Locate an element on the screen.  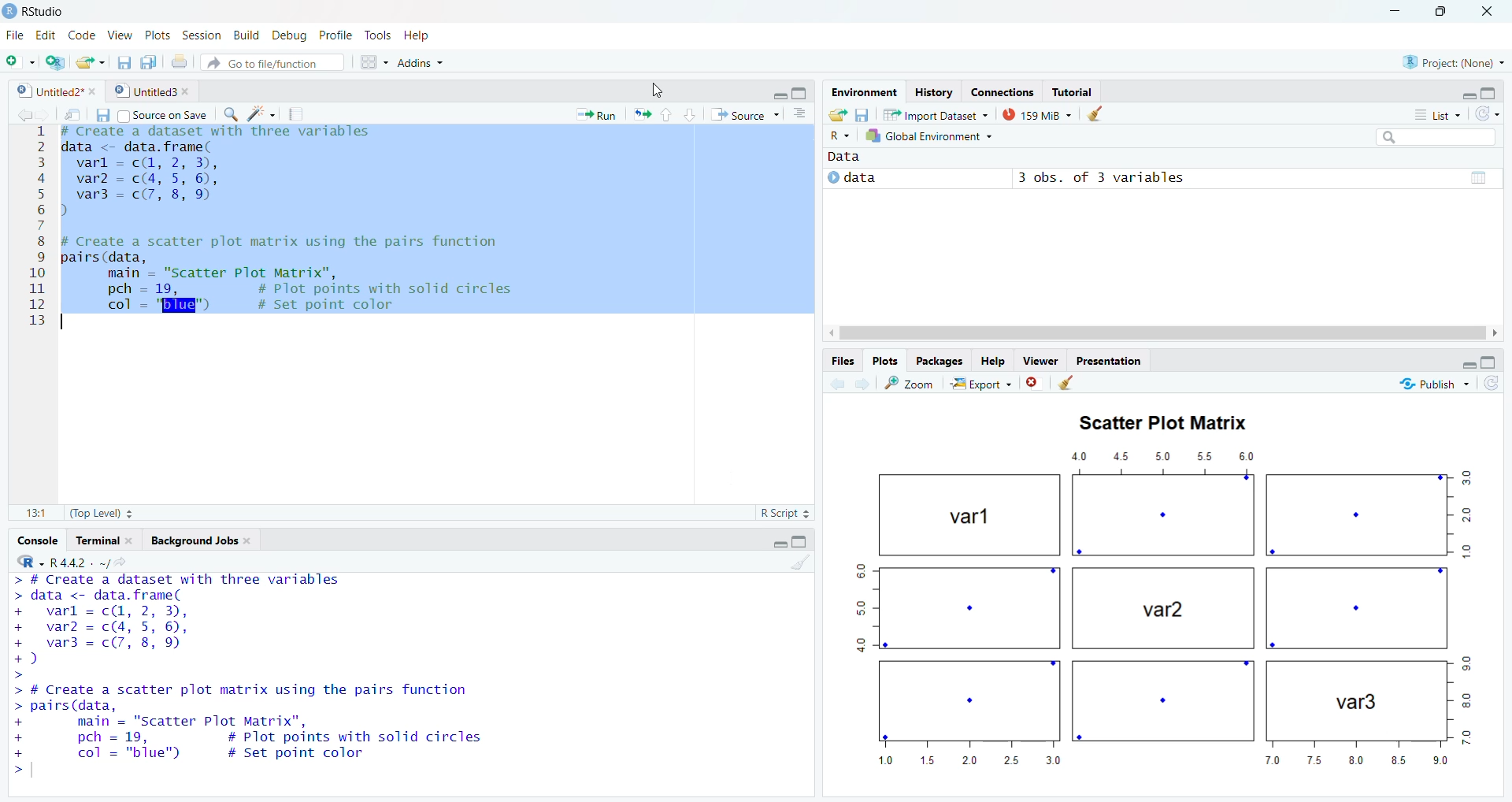
b Global Environment - is located at coordinates (925, 136).